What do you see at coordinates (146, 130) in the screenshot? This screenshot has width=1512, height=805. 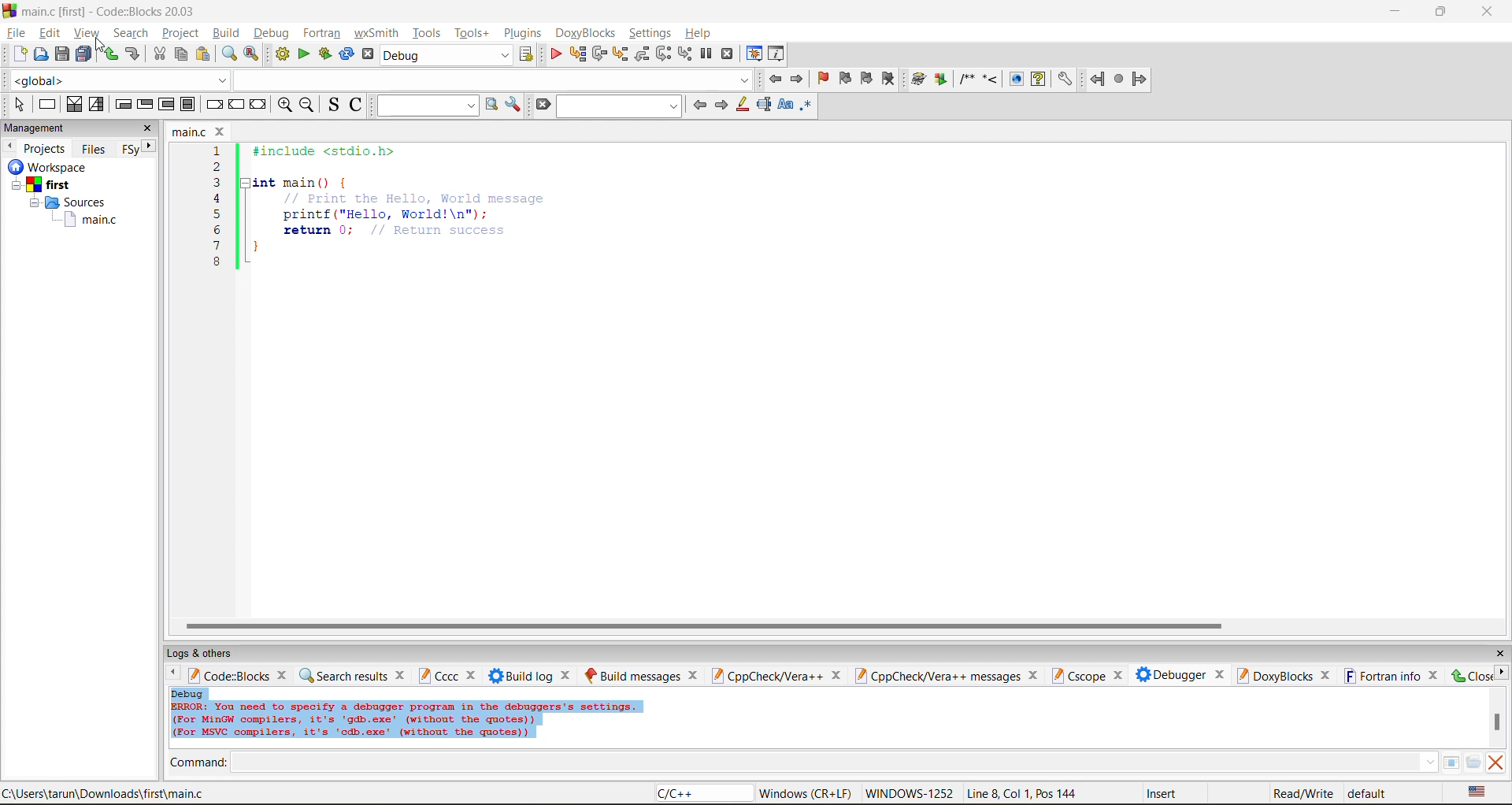 I see `close` at bounding box center [146, 130].